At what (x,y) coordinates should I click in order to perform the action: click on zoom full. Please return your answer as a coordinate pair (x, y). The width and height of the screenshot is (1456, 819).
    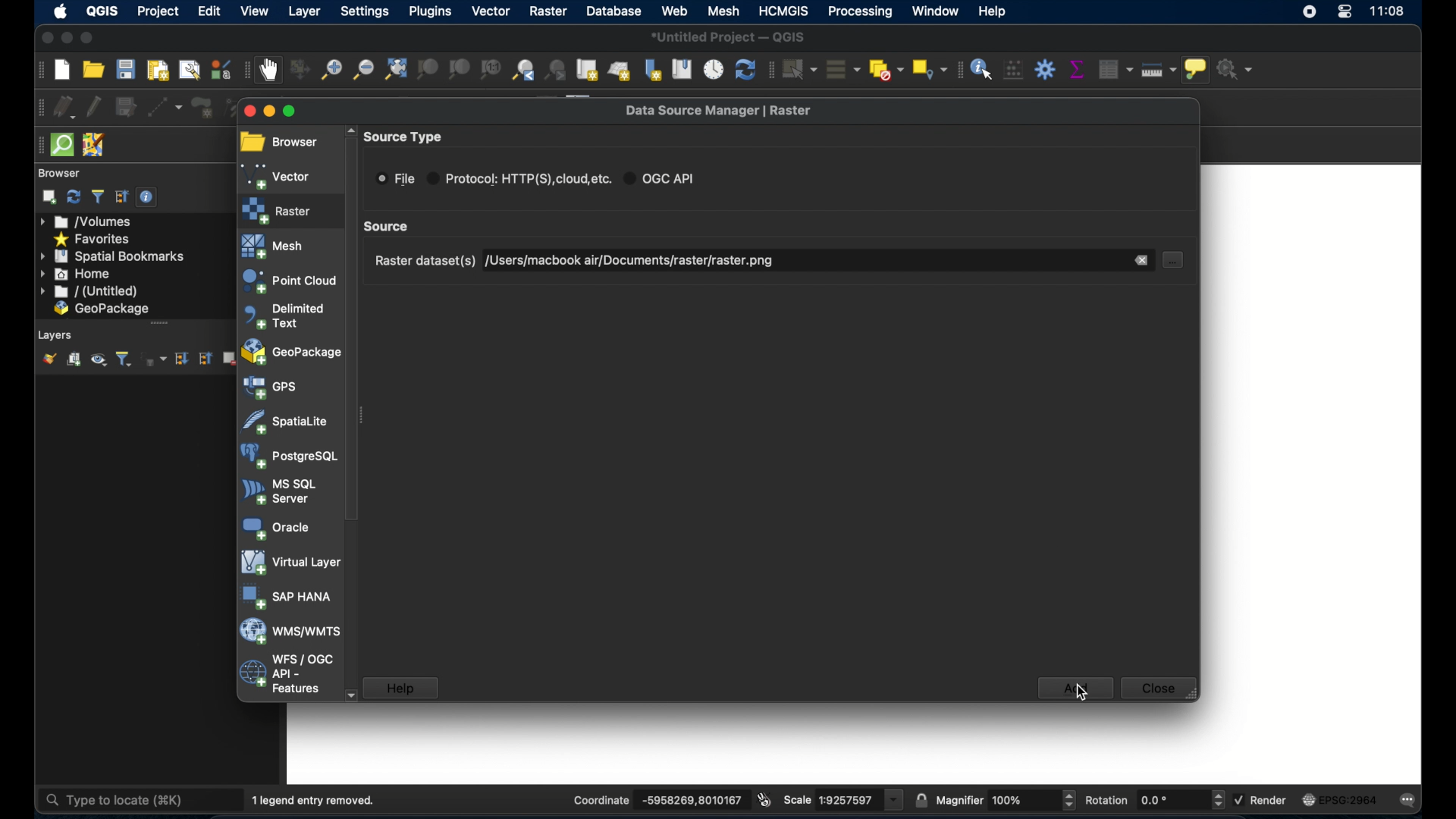
    Looking at the image, I should click on (394, 68).